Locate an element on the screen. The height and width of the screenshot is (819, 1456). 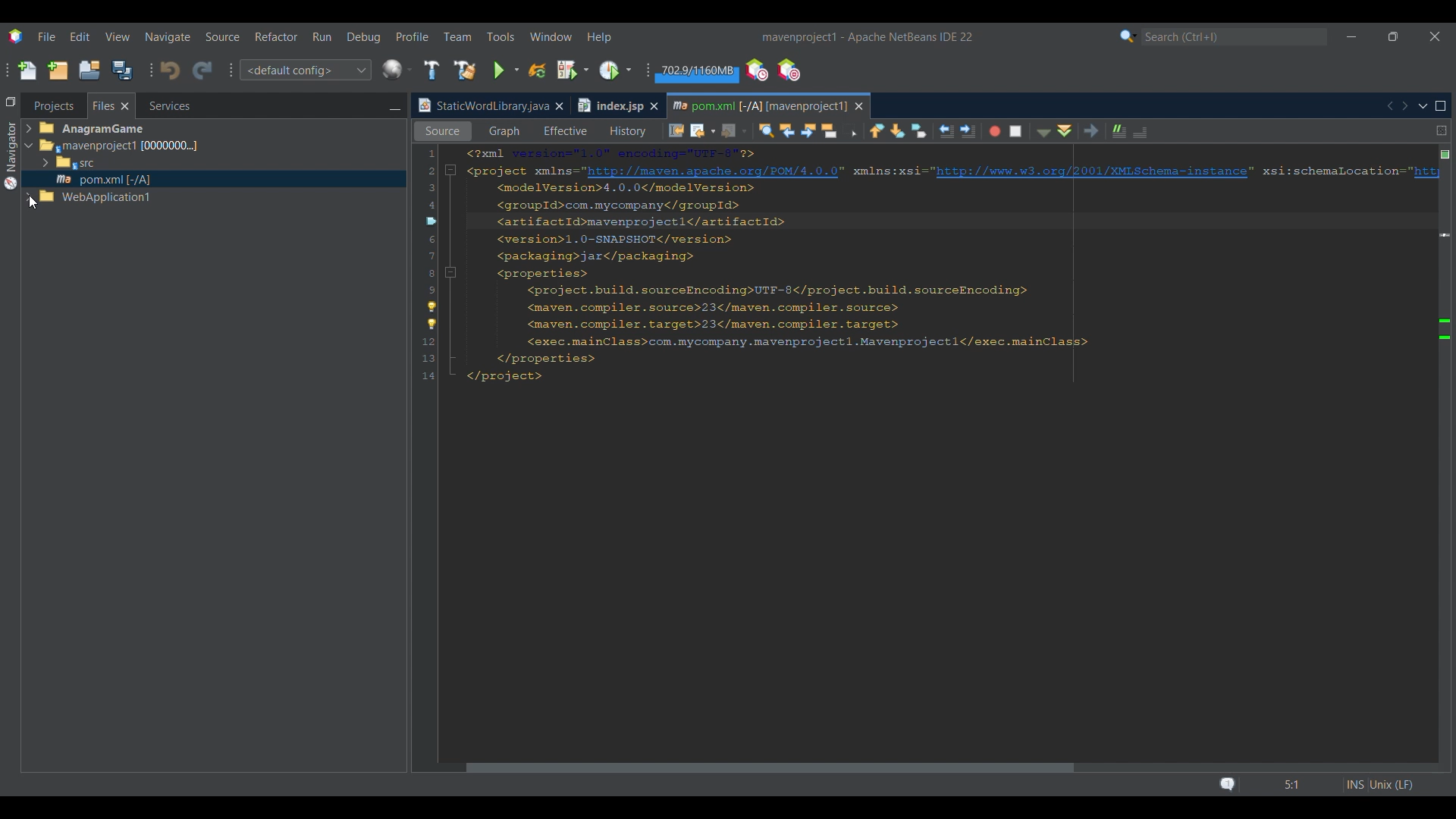
Navigator menu is located at coordinates (9, 155).